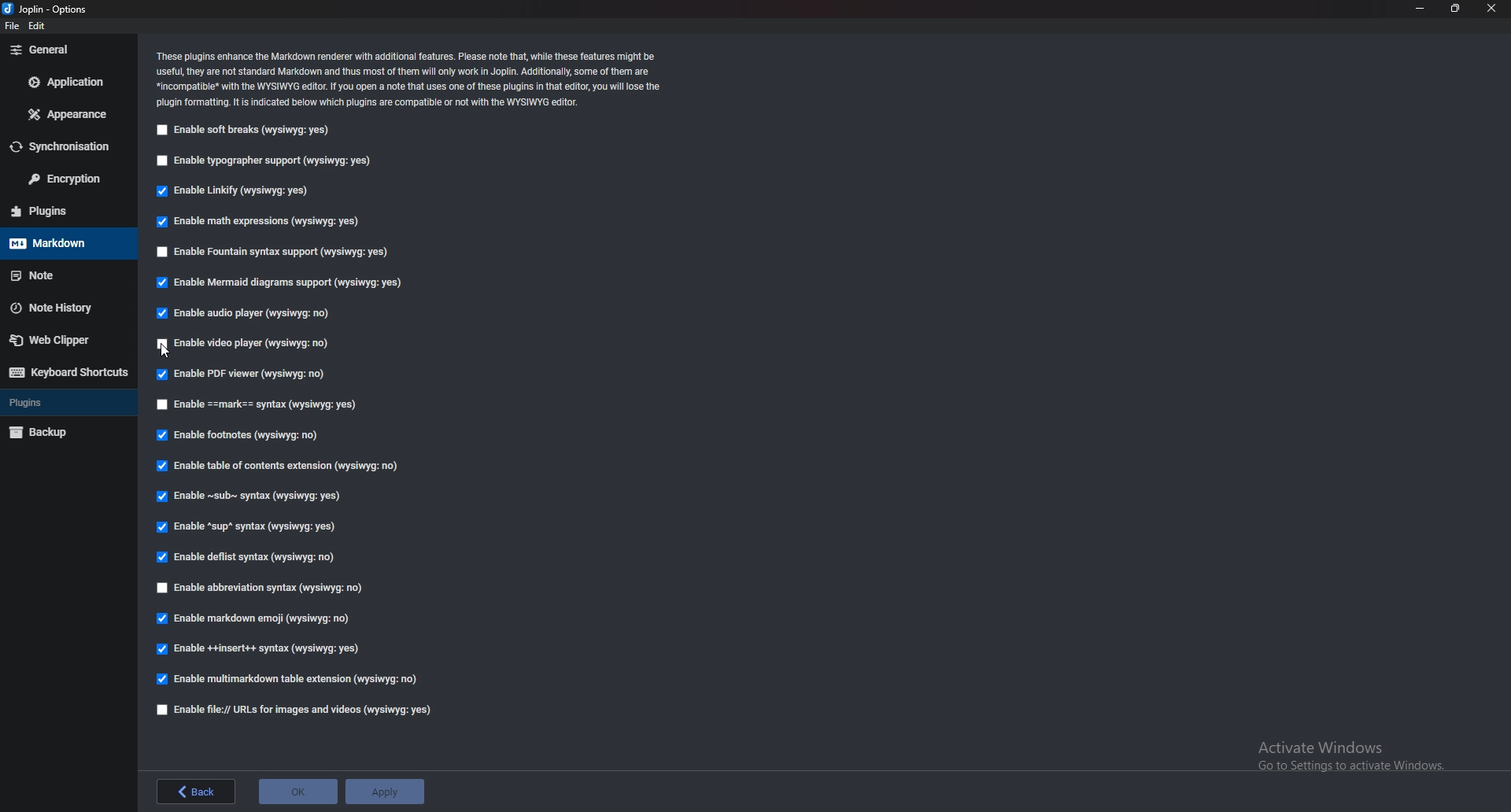 This screenshot has height=812, width=1511. Describe the element at coordinates (11, 26) in the screenshot. I see `file` at that location.